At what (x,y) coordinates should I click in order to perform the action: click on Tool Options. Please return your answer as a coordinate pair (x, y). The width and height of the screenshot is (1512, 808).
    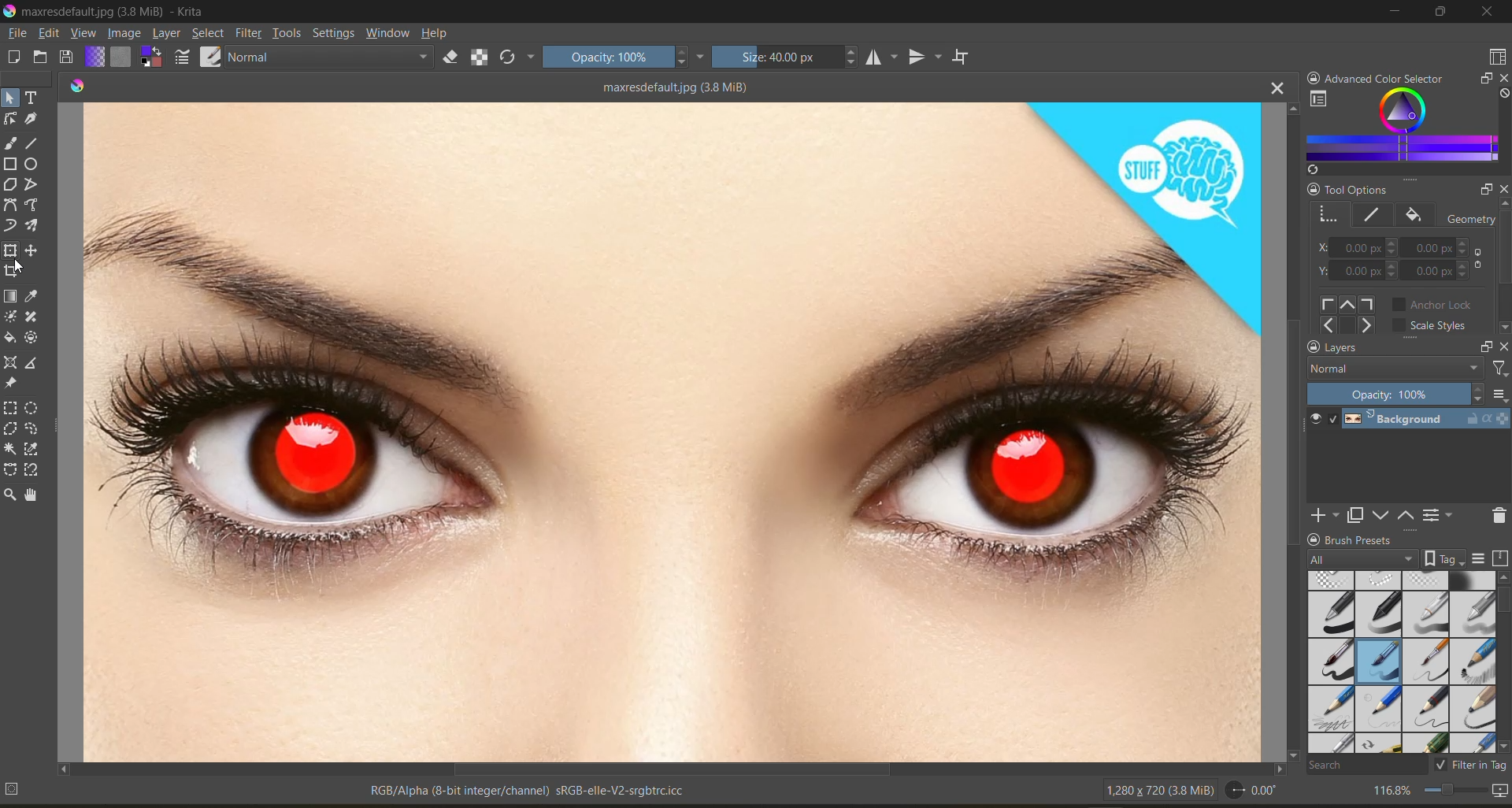
    Looking at the image, I should click on (1392, 187).